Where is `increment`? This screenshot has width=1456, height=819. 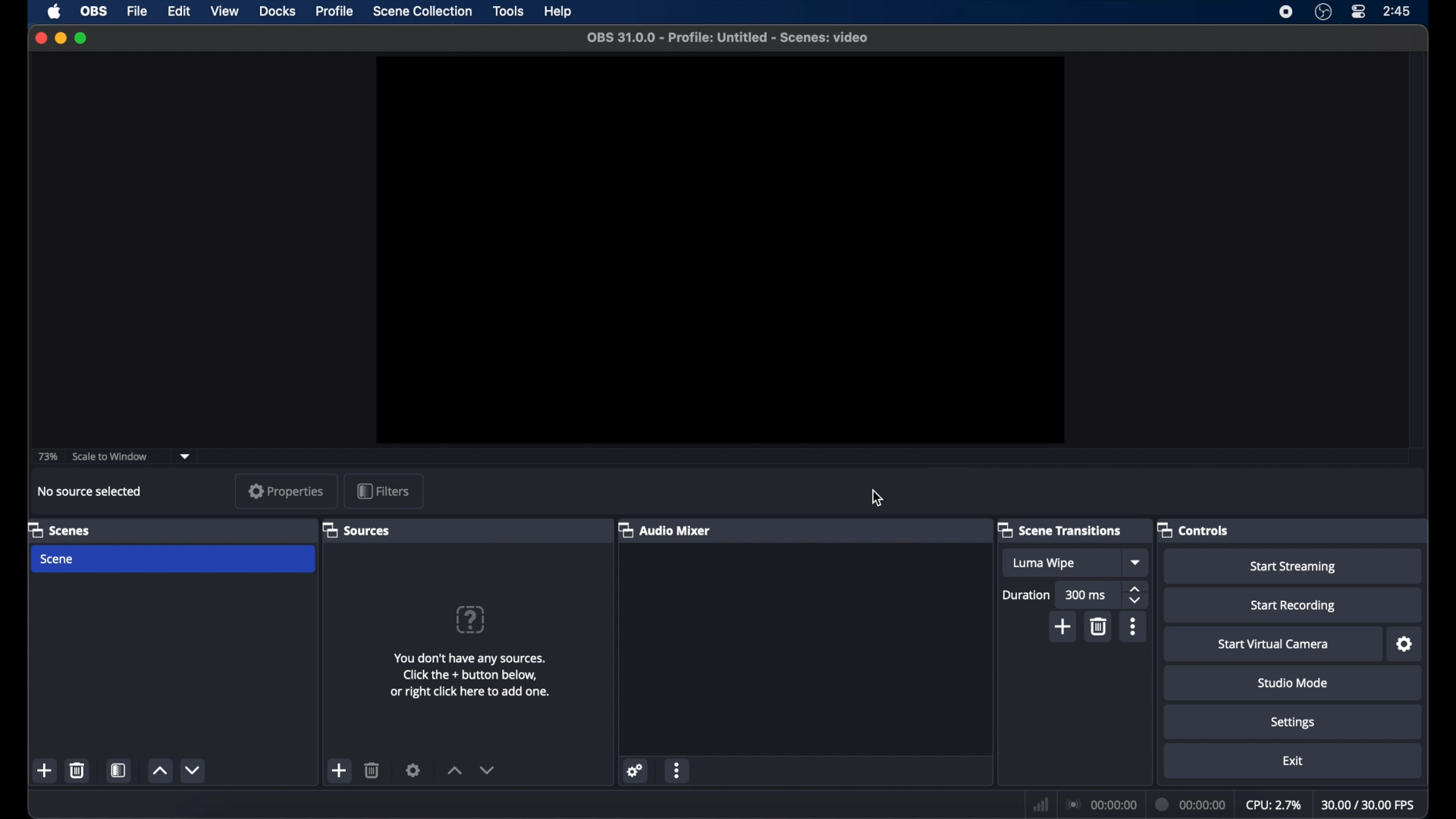
increment is located at coordinates (158, 771).